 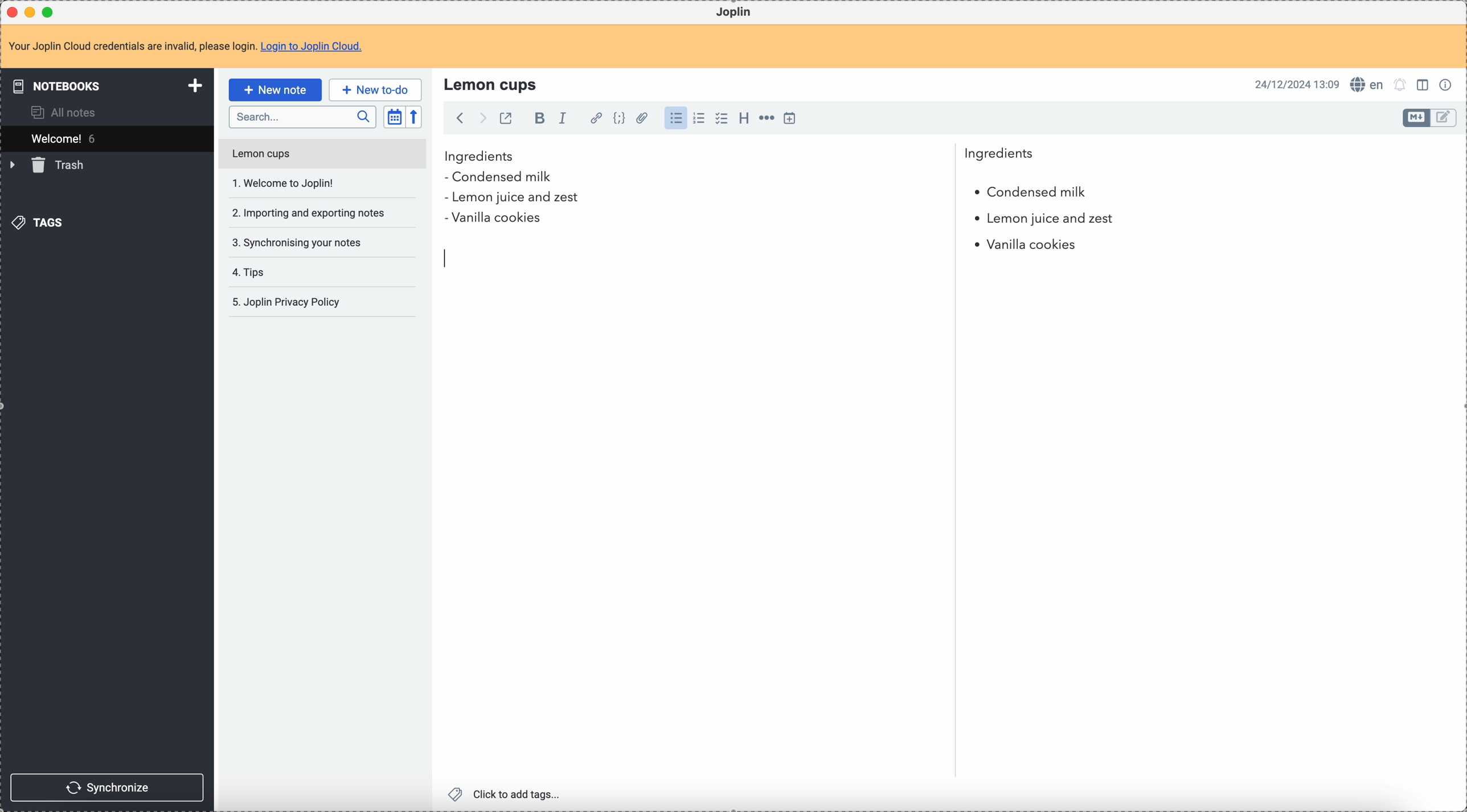 What do you see at coordinates (505, 120) in the screenshot?
I see `toggle external editing` at bounding box center [505, 120].